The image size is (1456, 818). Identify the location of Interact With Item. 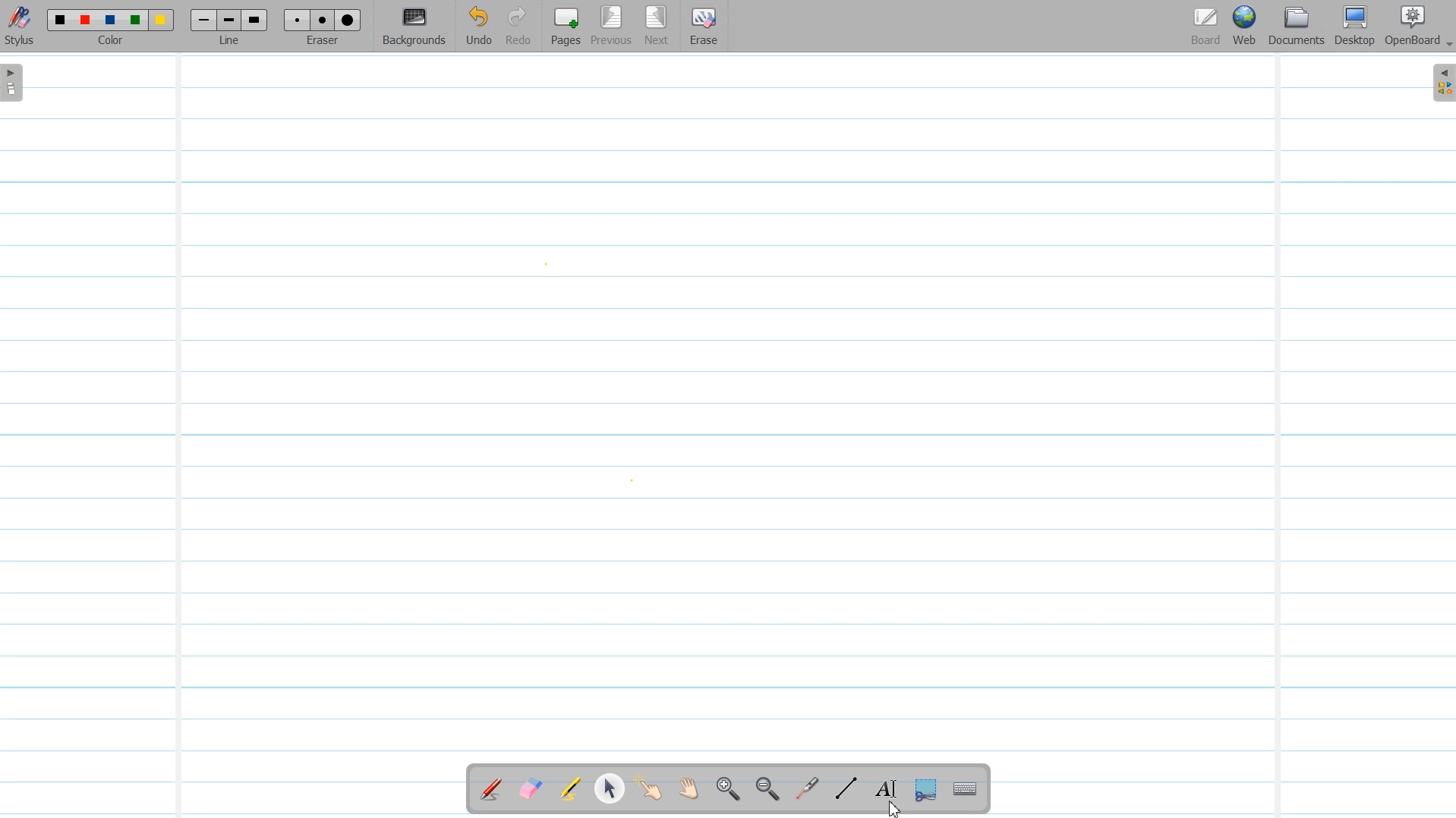
(649, 790).